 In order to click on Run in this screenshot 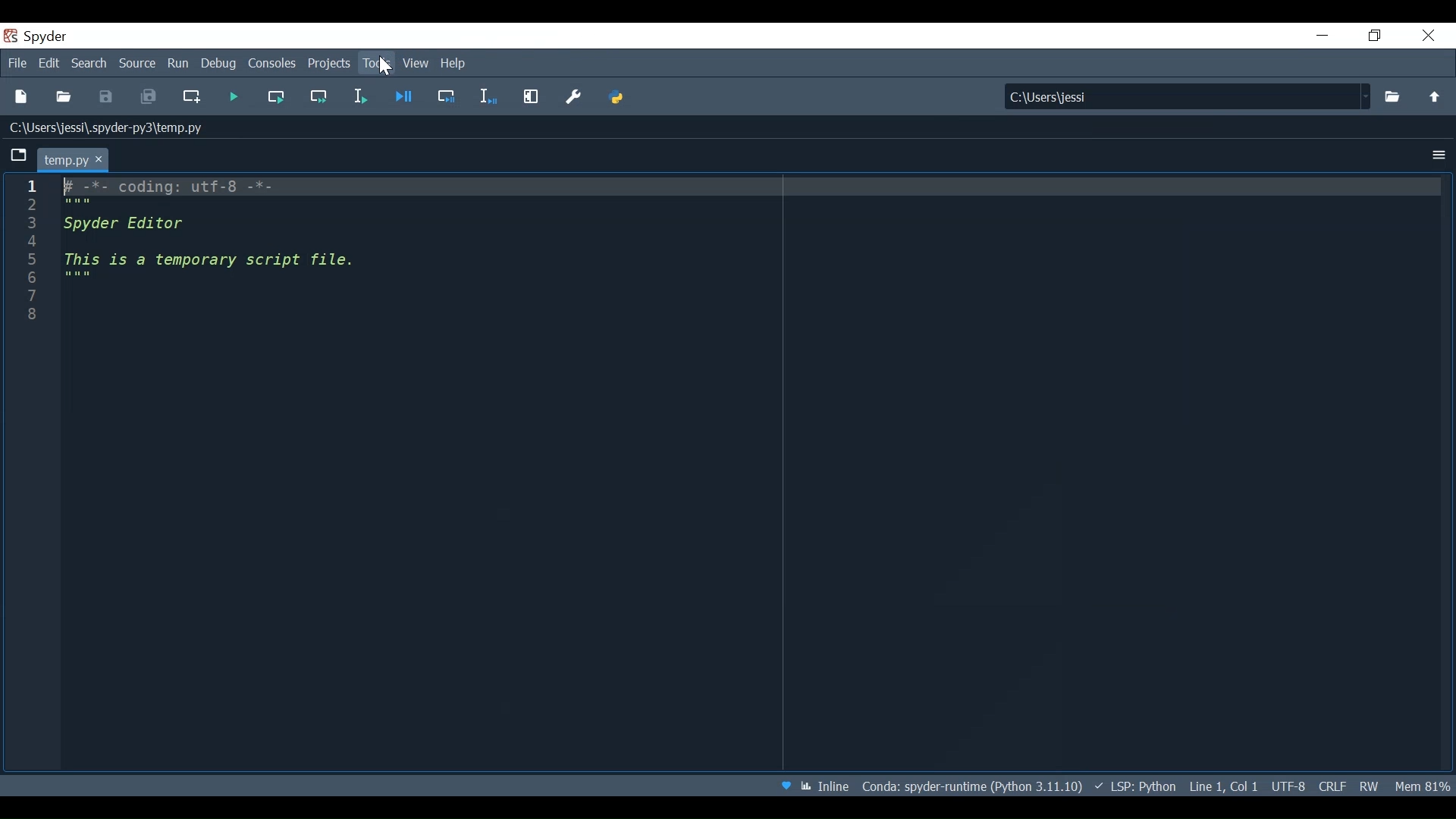, I will do `click(179, 64)`.